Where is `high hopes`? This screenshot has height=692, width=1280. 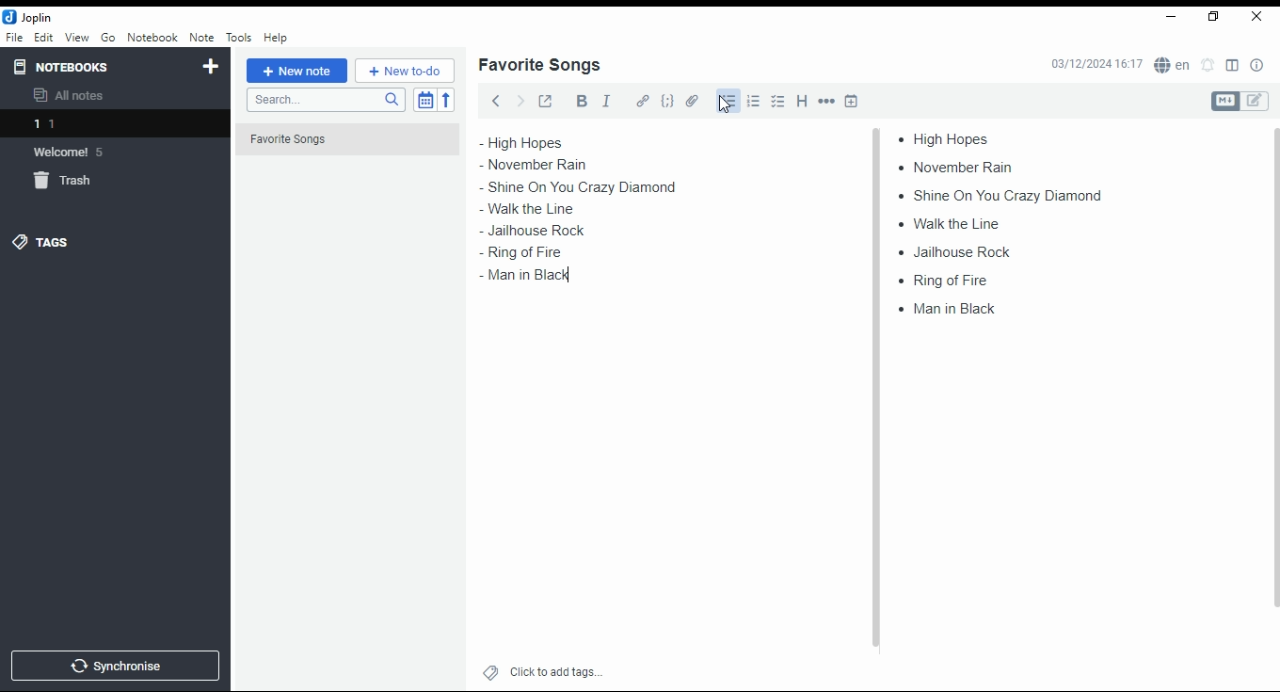
high hopes is located at coordinates (953, 139).